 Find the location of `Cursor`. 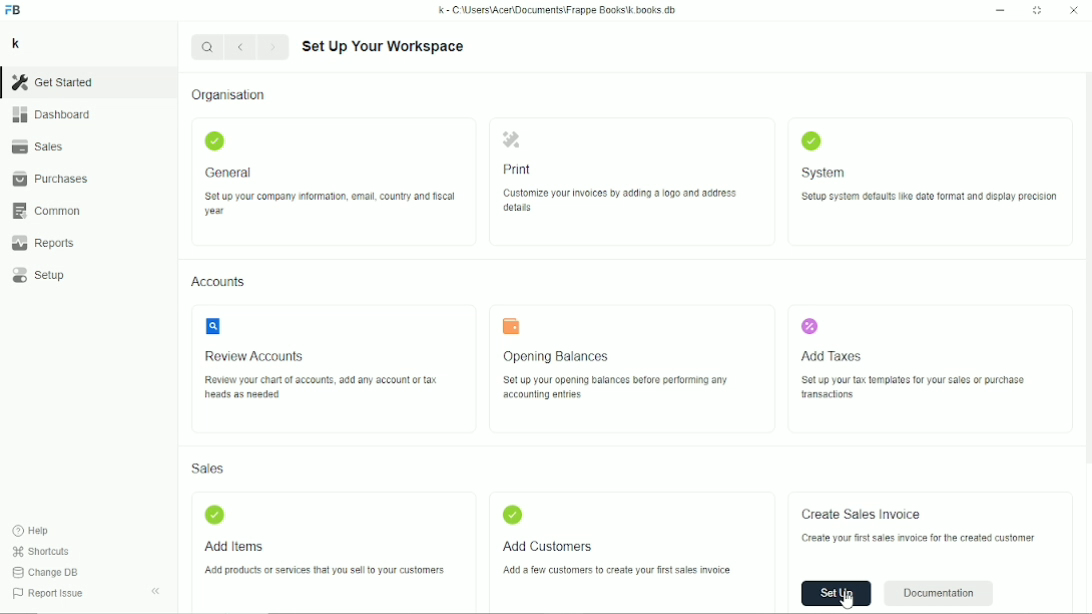

Cursor is located at coordinates (846, 597).